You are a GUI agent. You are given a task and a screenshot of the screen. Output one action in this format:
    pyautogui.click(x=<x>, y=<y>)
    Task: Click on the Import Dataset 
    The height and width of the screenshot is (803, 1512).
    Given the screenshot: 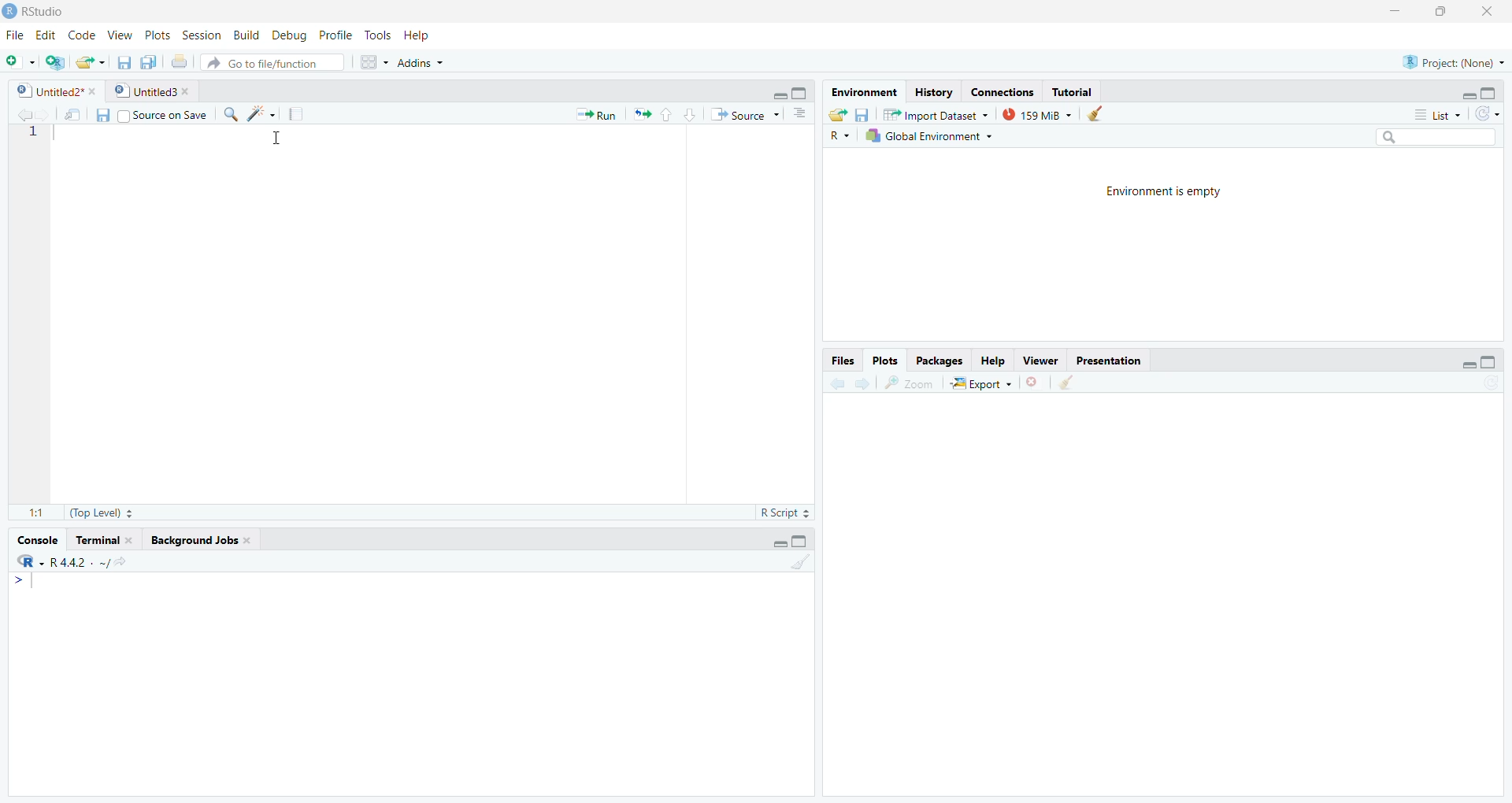 What is the action you would take?
    pyautogui.click(x=935, y=113)
    